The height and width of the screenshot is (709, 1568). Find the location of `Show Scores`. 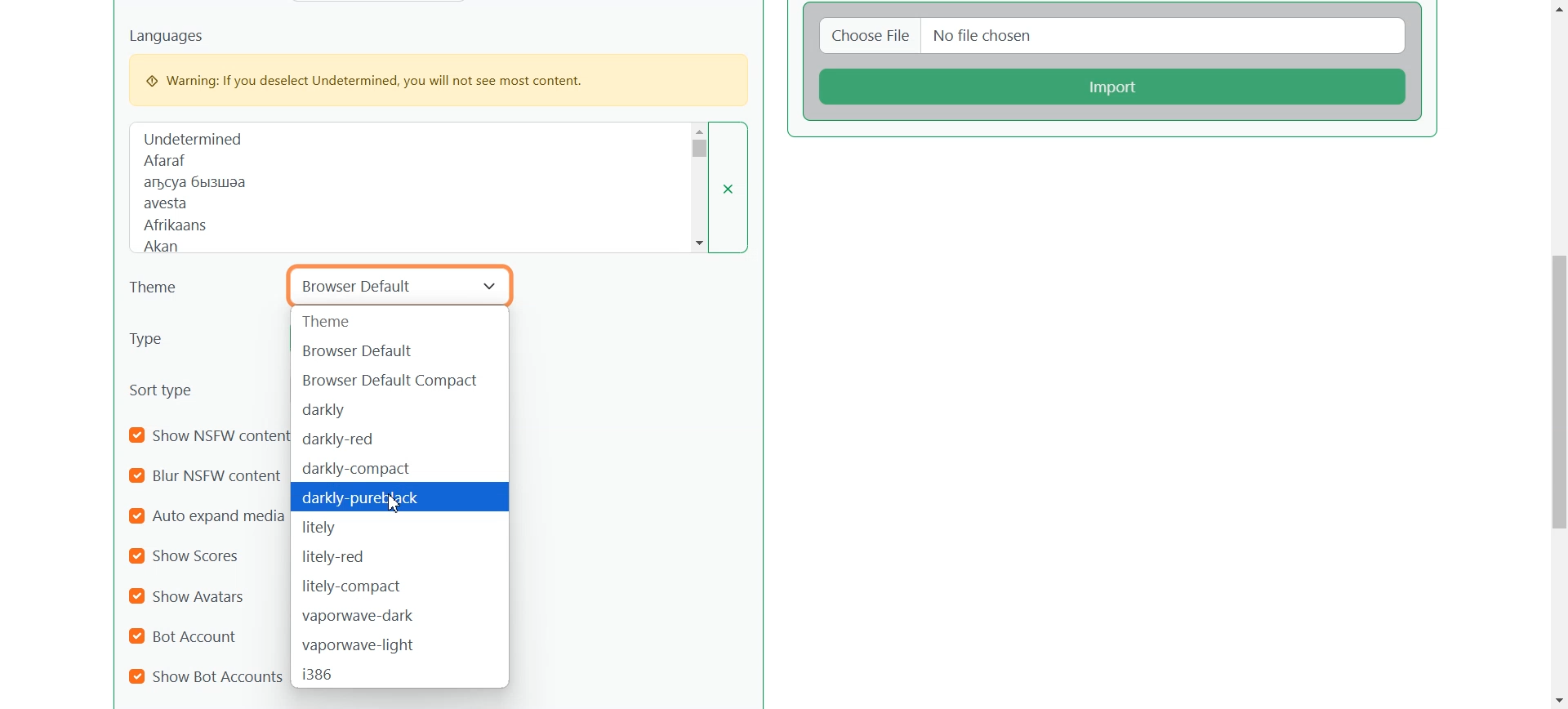

Show Scores is located at coordinates (193, 555).